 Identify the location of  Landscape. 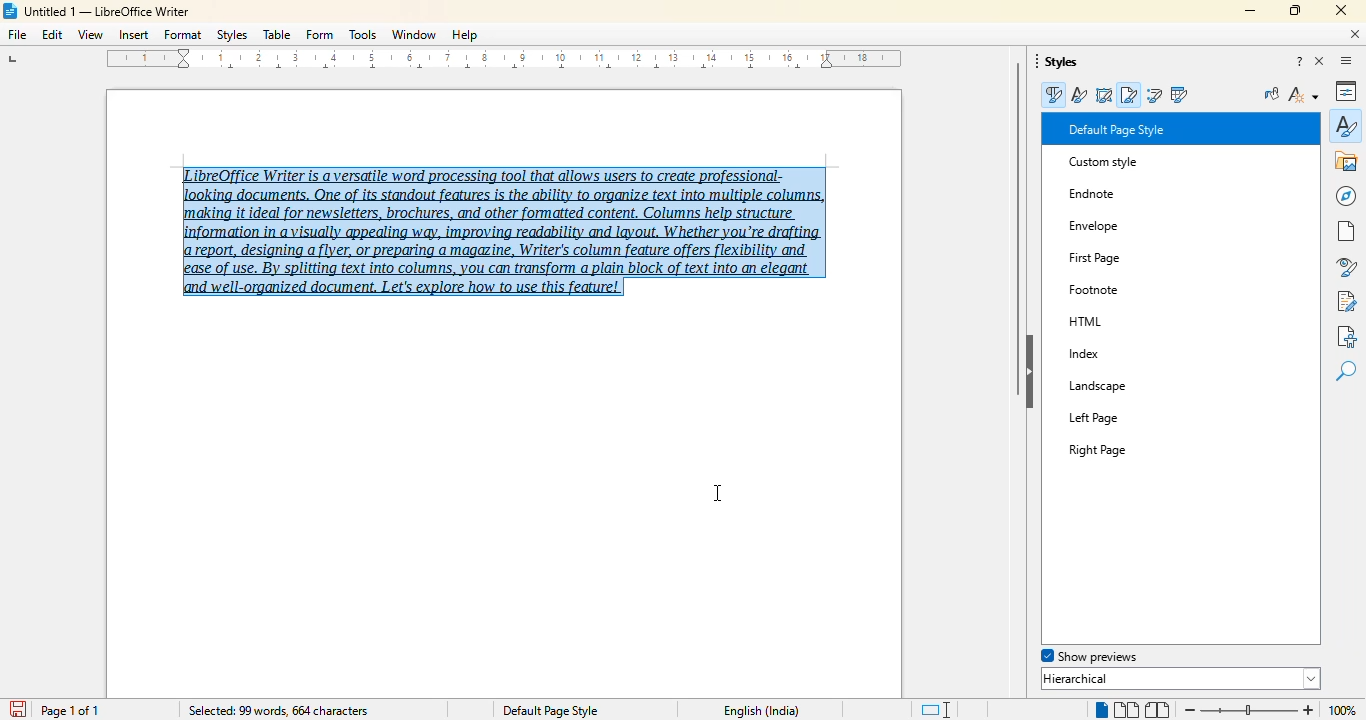
(1119, 353).